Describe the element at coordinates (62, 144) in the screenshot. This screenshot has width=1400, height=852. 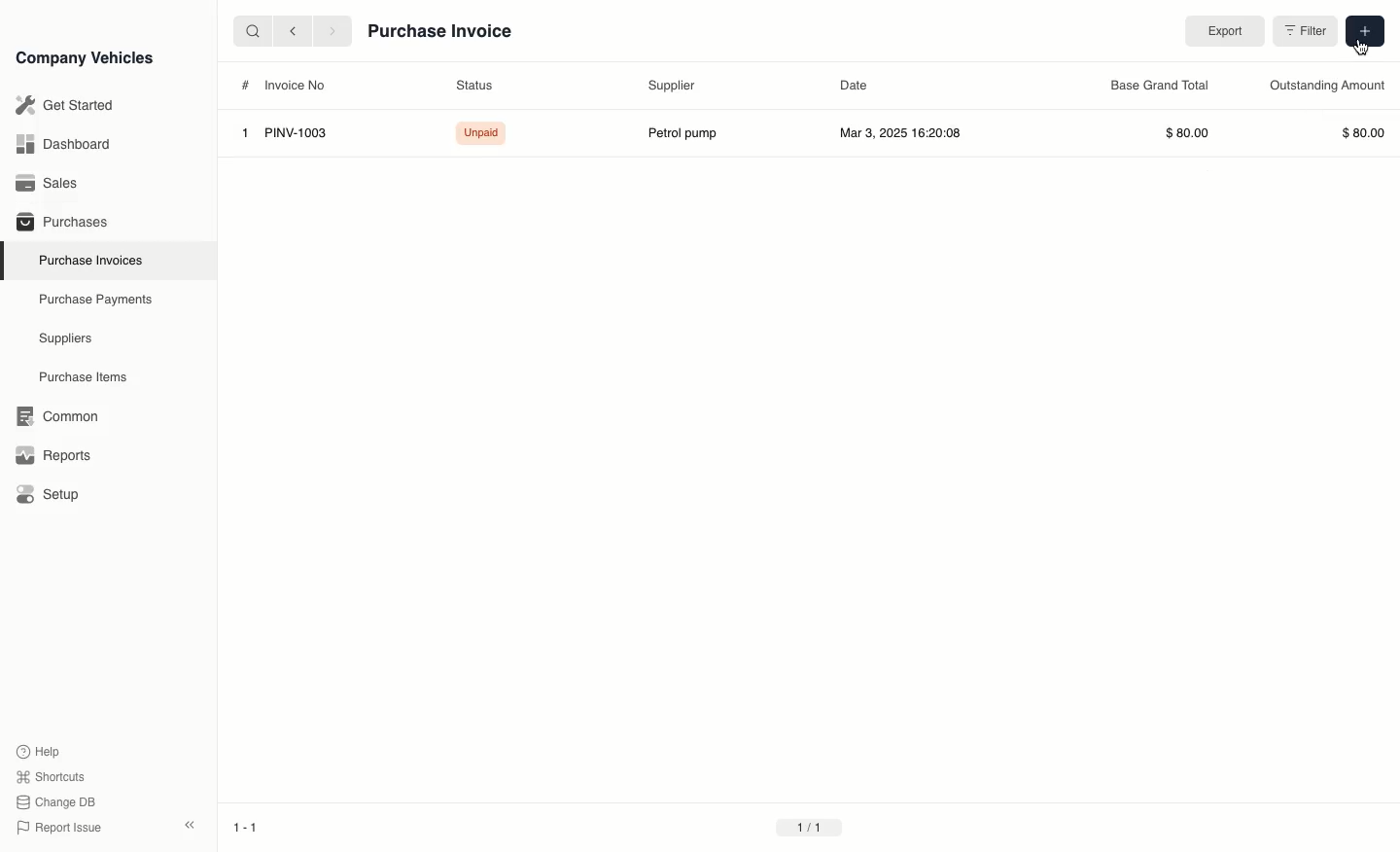
I see `Dashboard` at that location.